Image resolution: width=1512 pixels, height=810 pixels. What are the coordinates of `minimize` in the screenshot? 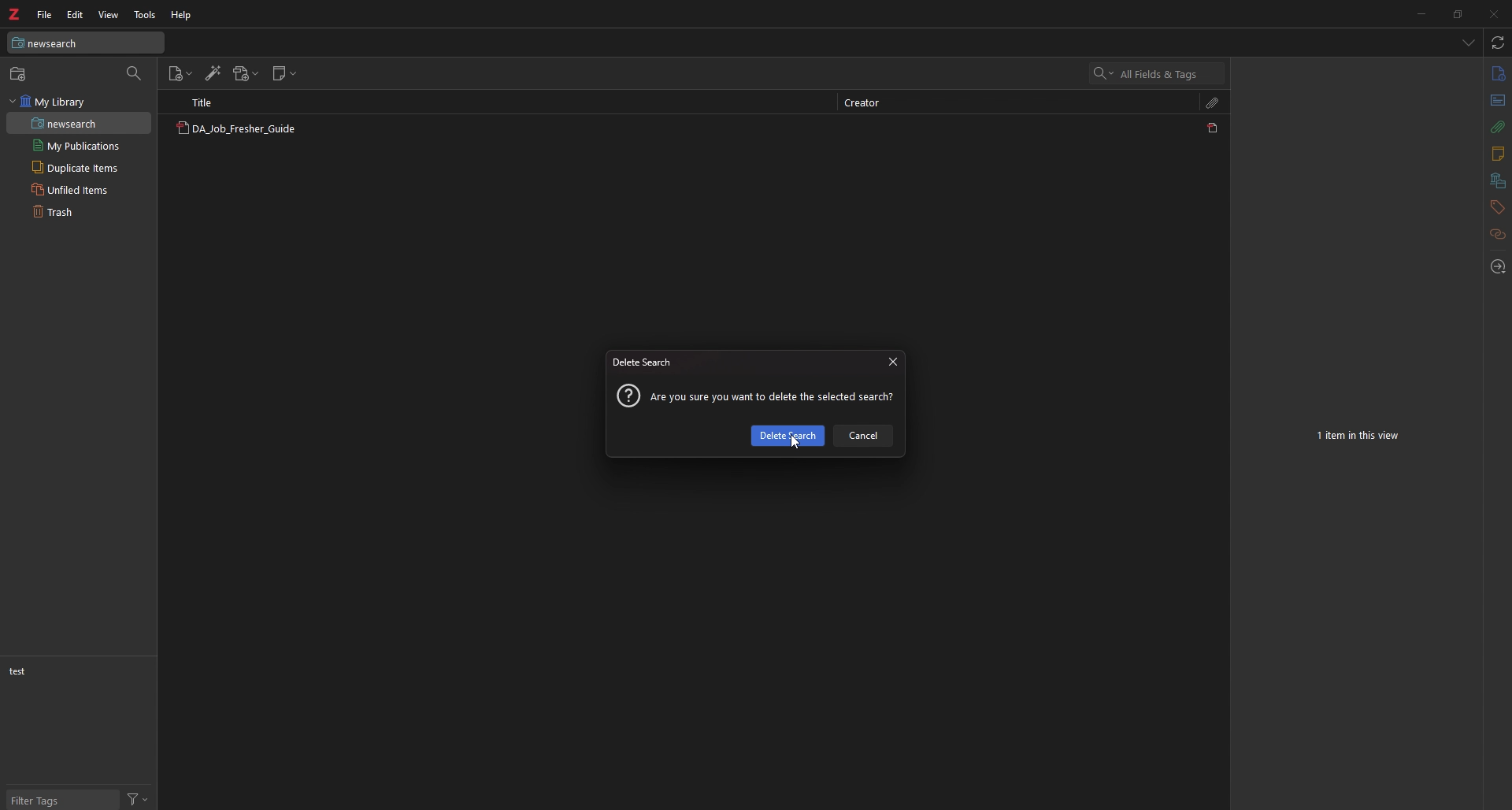 It's located at (1425, 13).